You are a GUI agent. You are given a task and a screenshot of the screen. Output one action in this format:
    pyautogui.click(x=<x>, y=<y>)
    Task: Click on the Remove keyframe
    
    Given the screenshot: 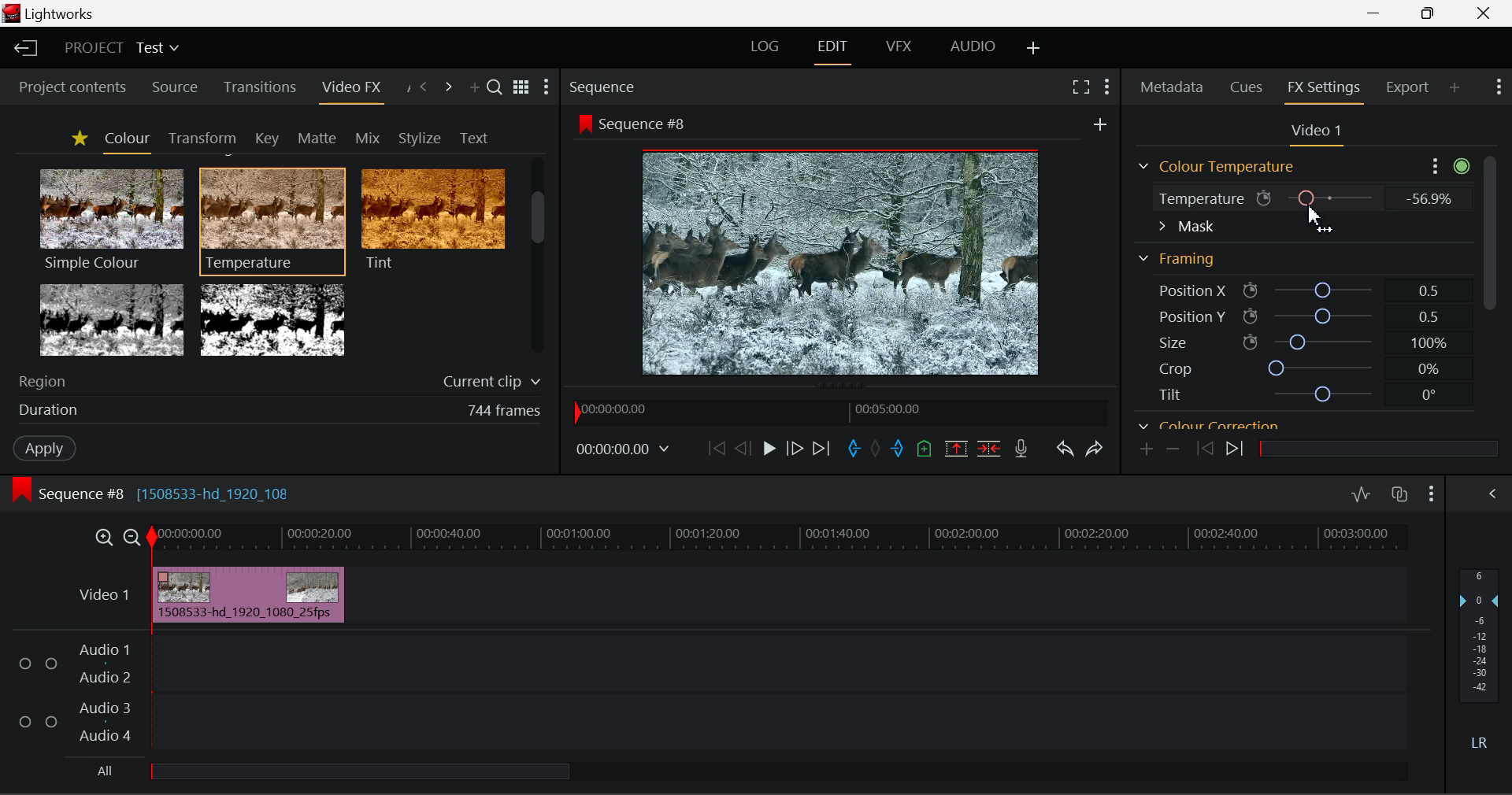 What is the action you would take?
    pyautogui.click(x=1173, y=451)
    